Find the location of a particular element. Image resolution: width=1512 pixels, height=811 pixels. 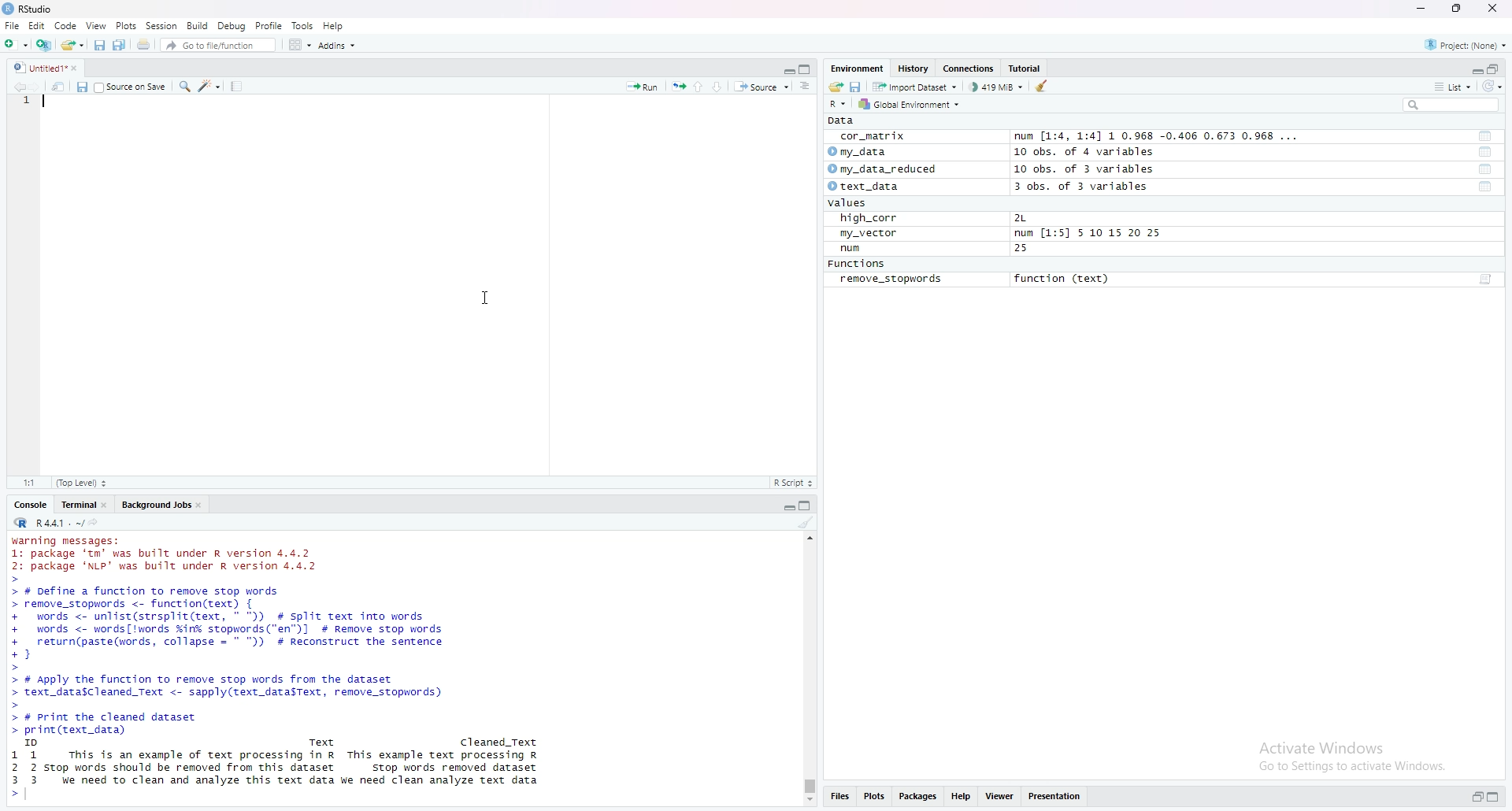

my_data_reduced is located at coordinates (887, 170).